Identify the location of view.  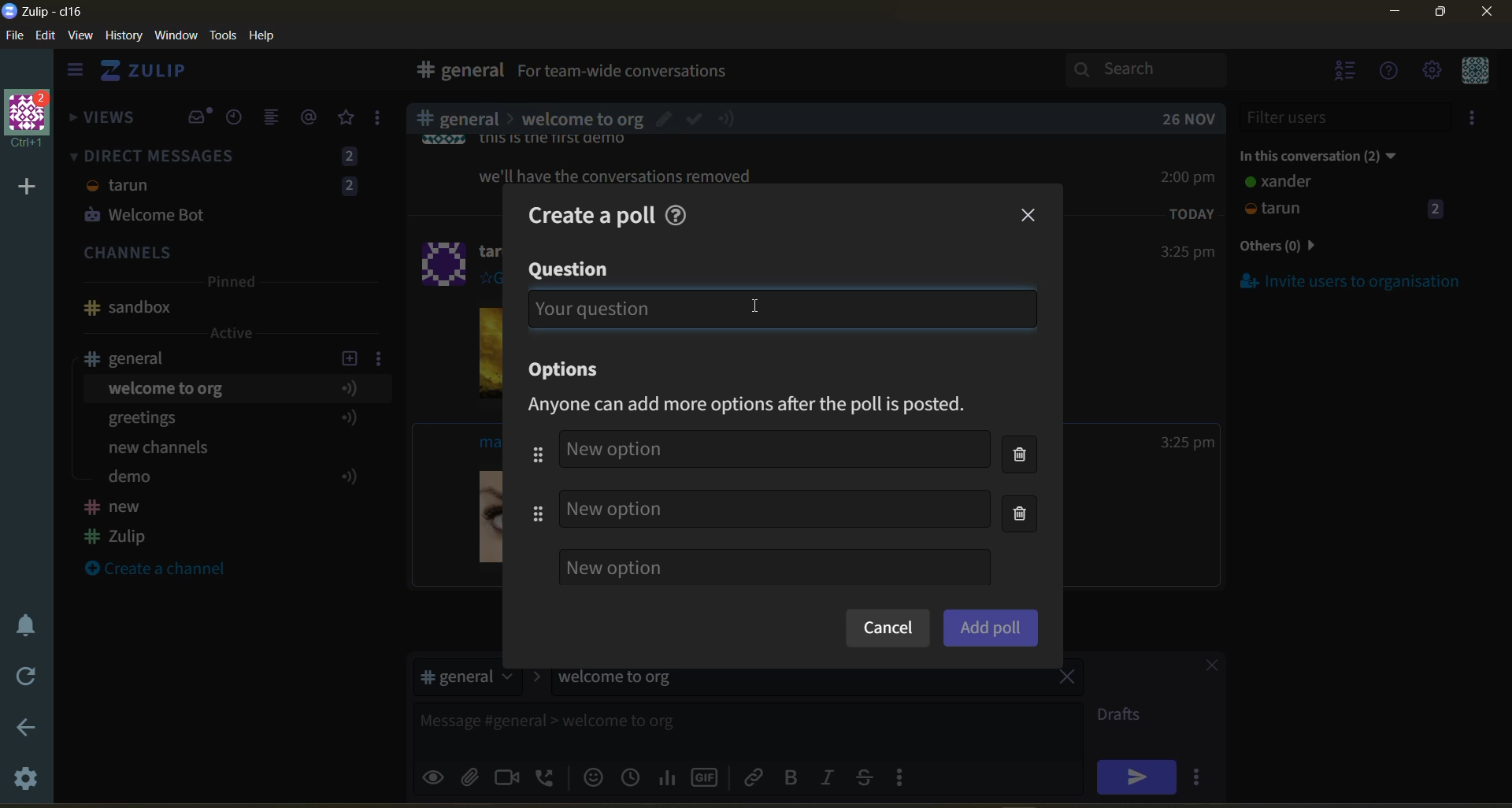
(81, 36).